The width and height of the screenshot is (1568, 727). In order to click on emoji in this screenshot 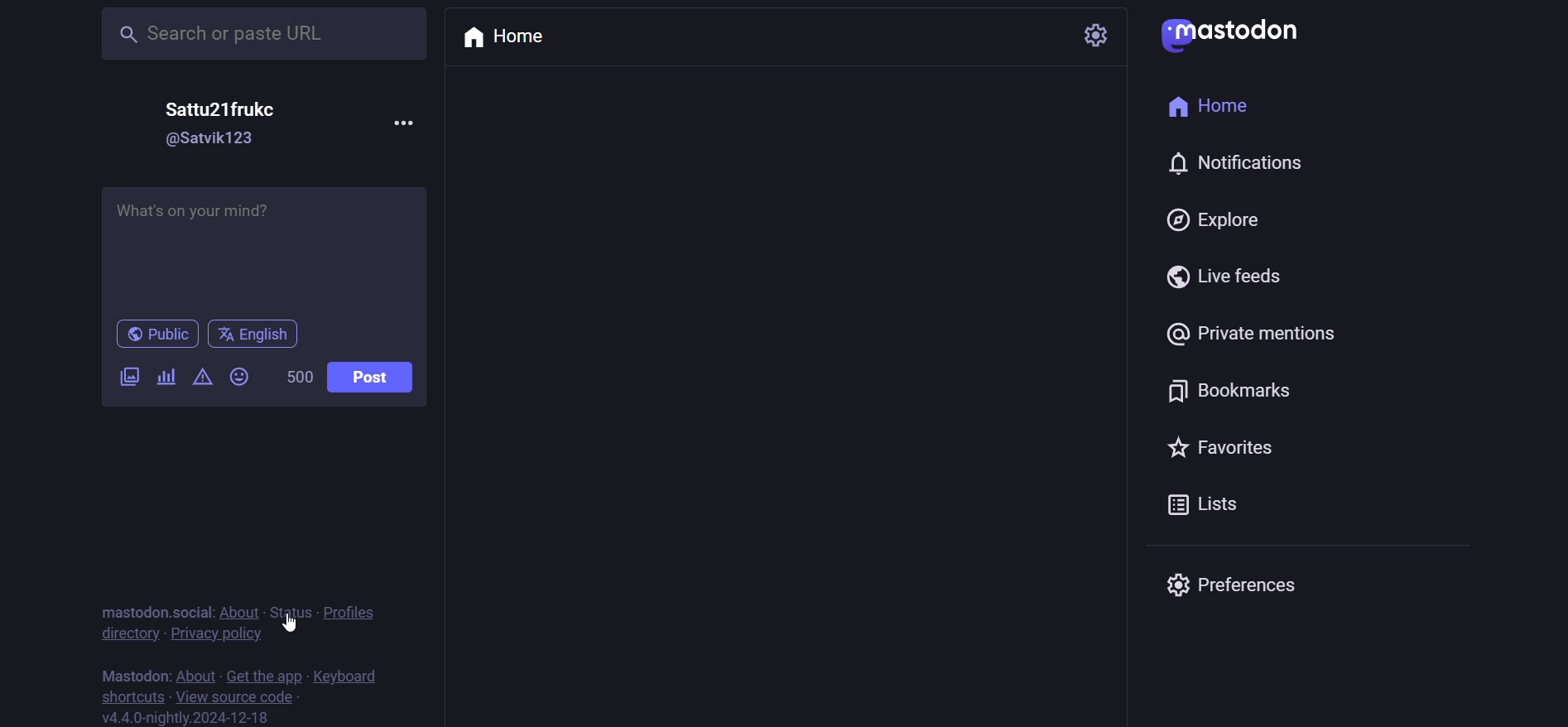, I will do `click(240, 376)`.